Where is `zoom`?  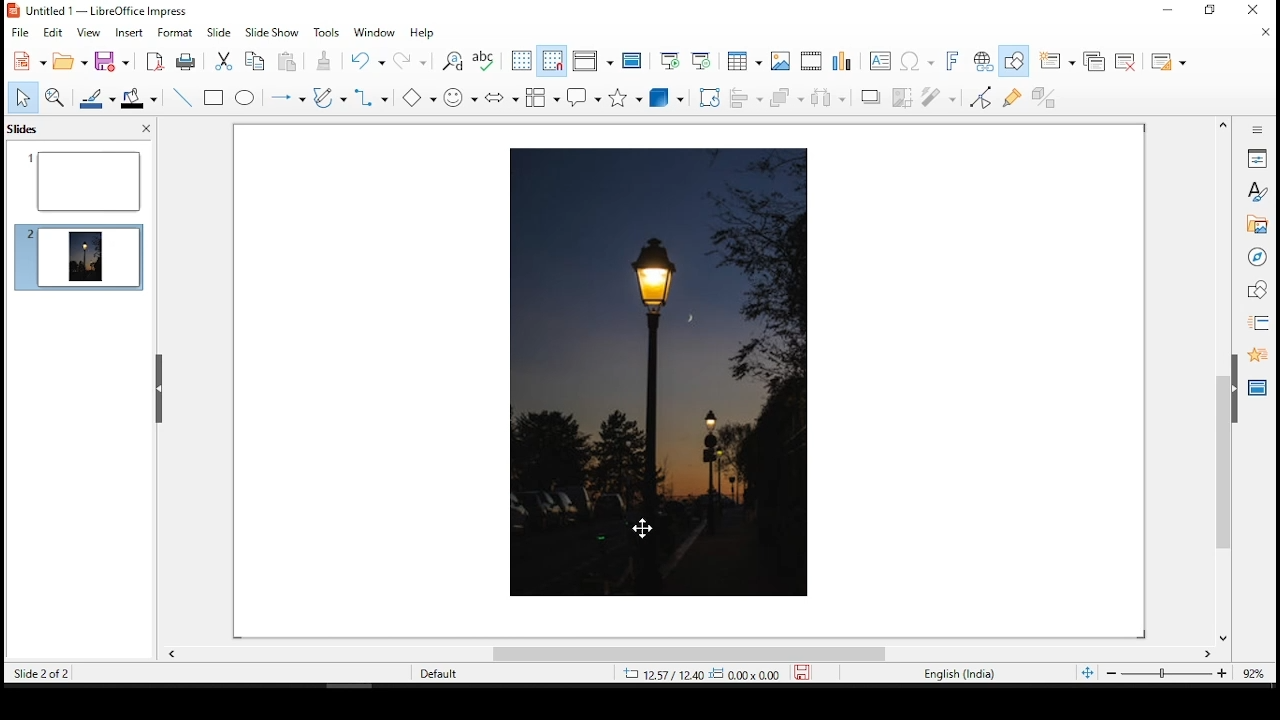
zoom is located at coordinates (1181, 673).